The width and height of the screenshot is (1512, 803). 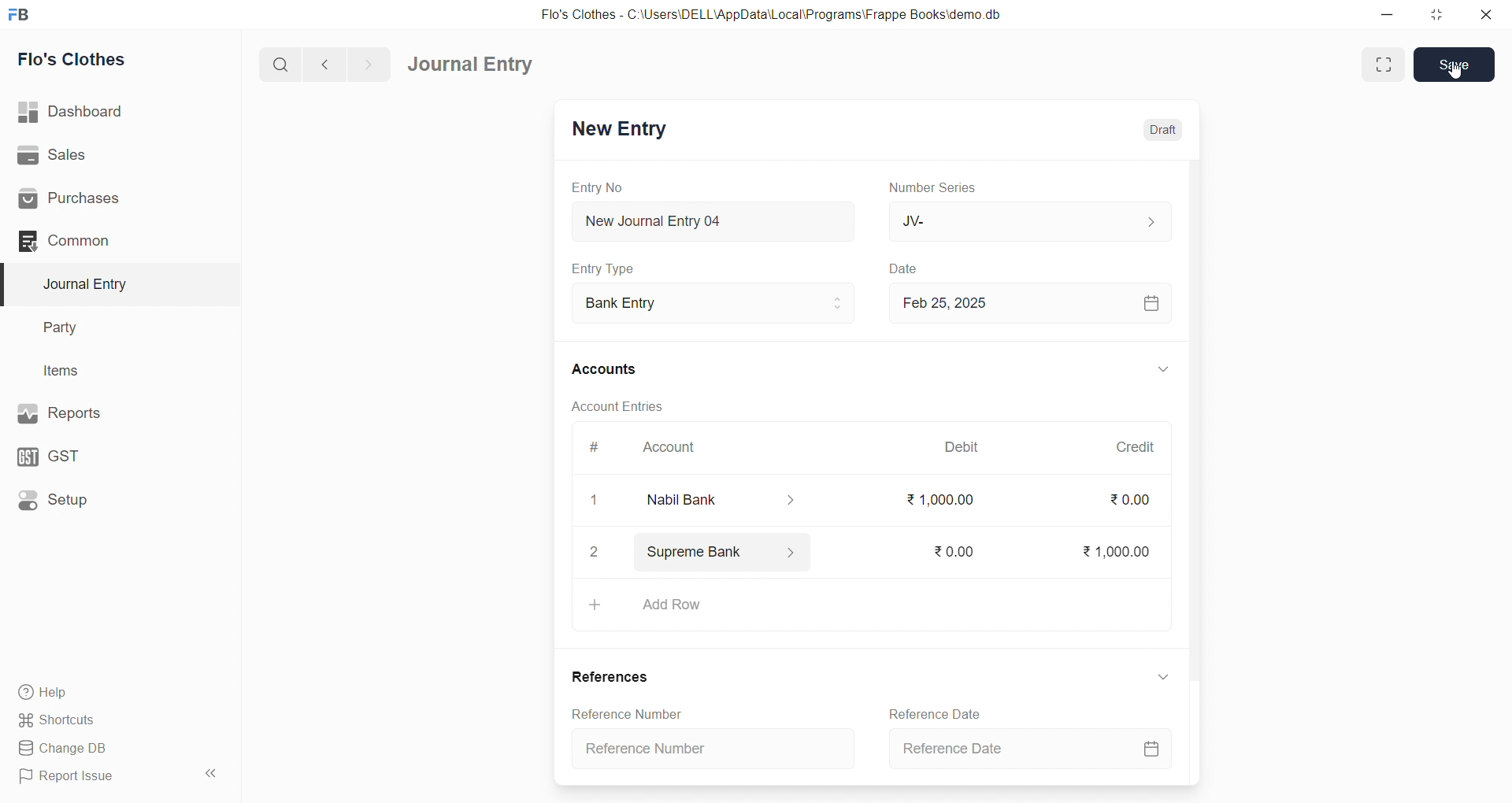 What do you see at coordinates (1163, 129) in the screenshot?
I see `Draft` at bounding box center [1163, 129].